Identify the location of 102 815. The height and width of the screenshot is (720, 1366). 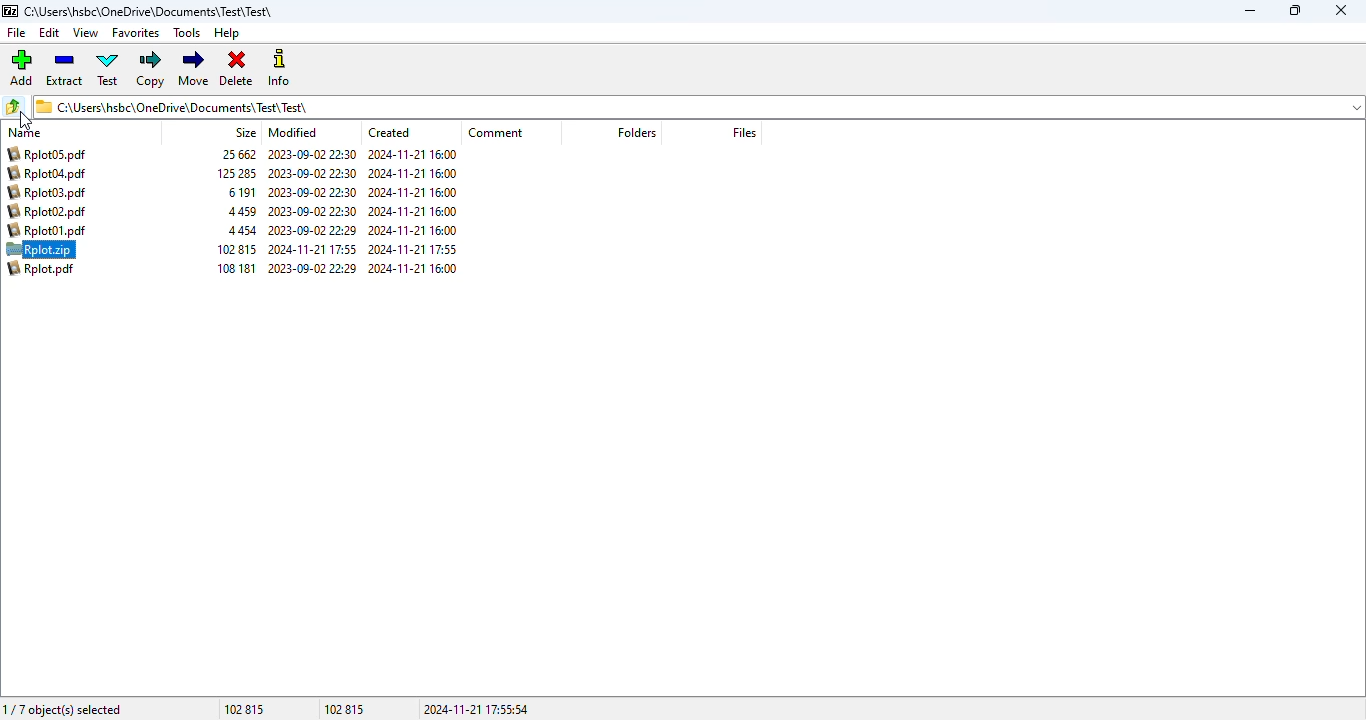
(344, 709).